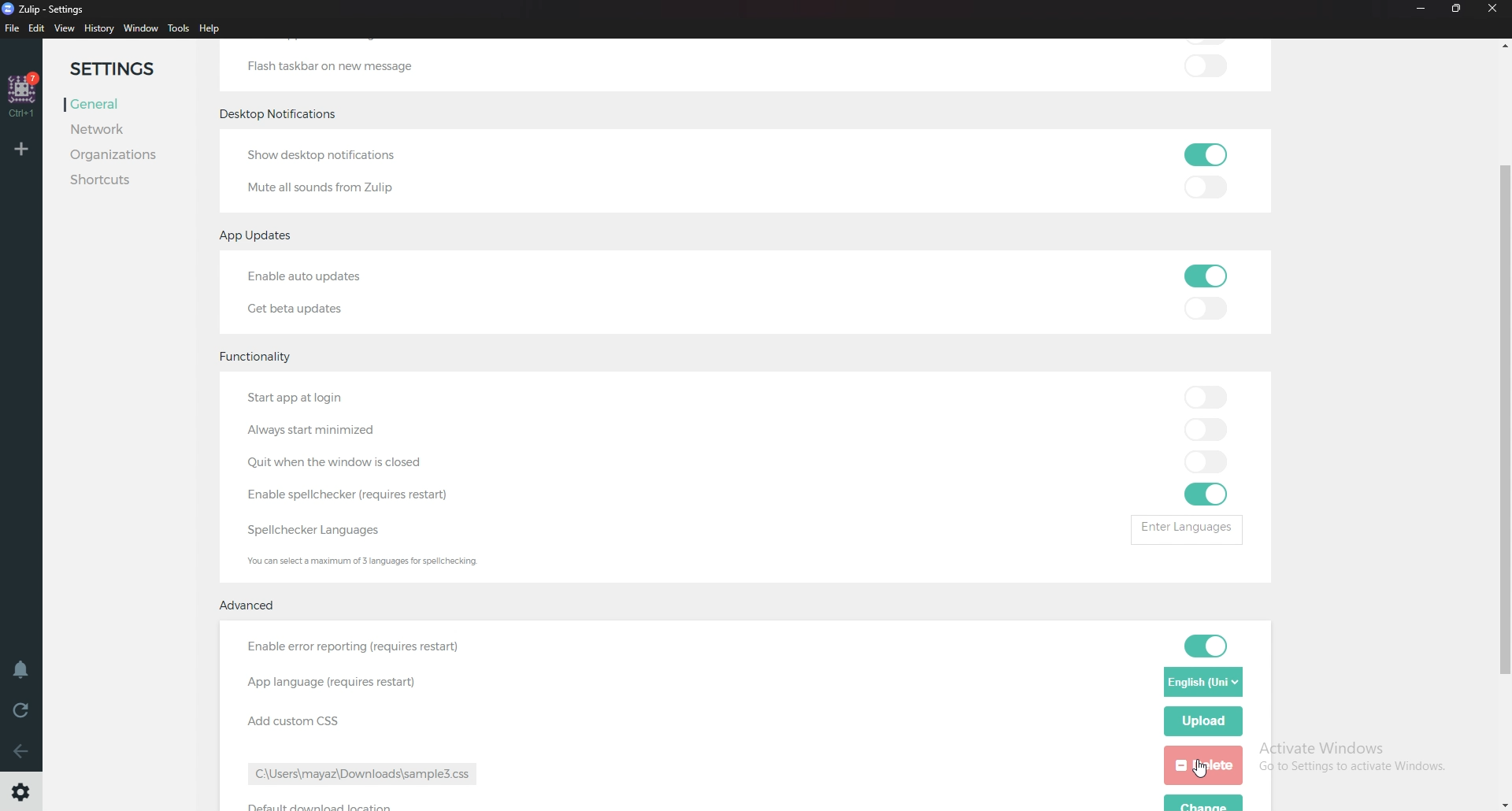 The height and width of the screenshot is (811, 1512). Describe the element at coordinates (22, 95) in the screenshot. I see `home` at that location.